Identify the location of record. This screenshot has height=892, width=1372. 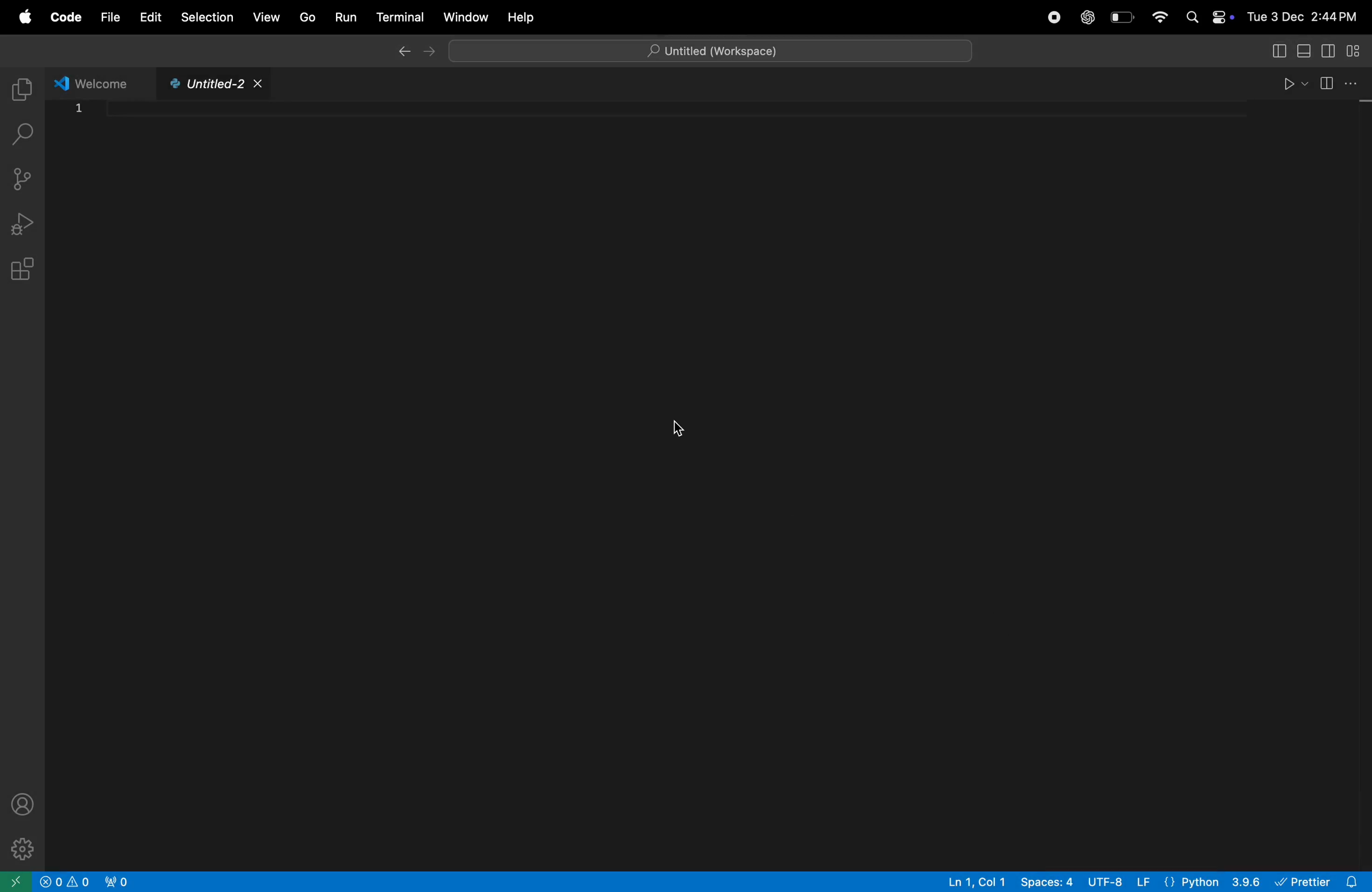
(1053, 17).